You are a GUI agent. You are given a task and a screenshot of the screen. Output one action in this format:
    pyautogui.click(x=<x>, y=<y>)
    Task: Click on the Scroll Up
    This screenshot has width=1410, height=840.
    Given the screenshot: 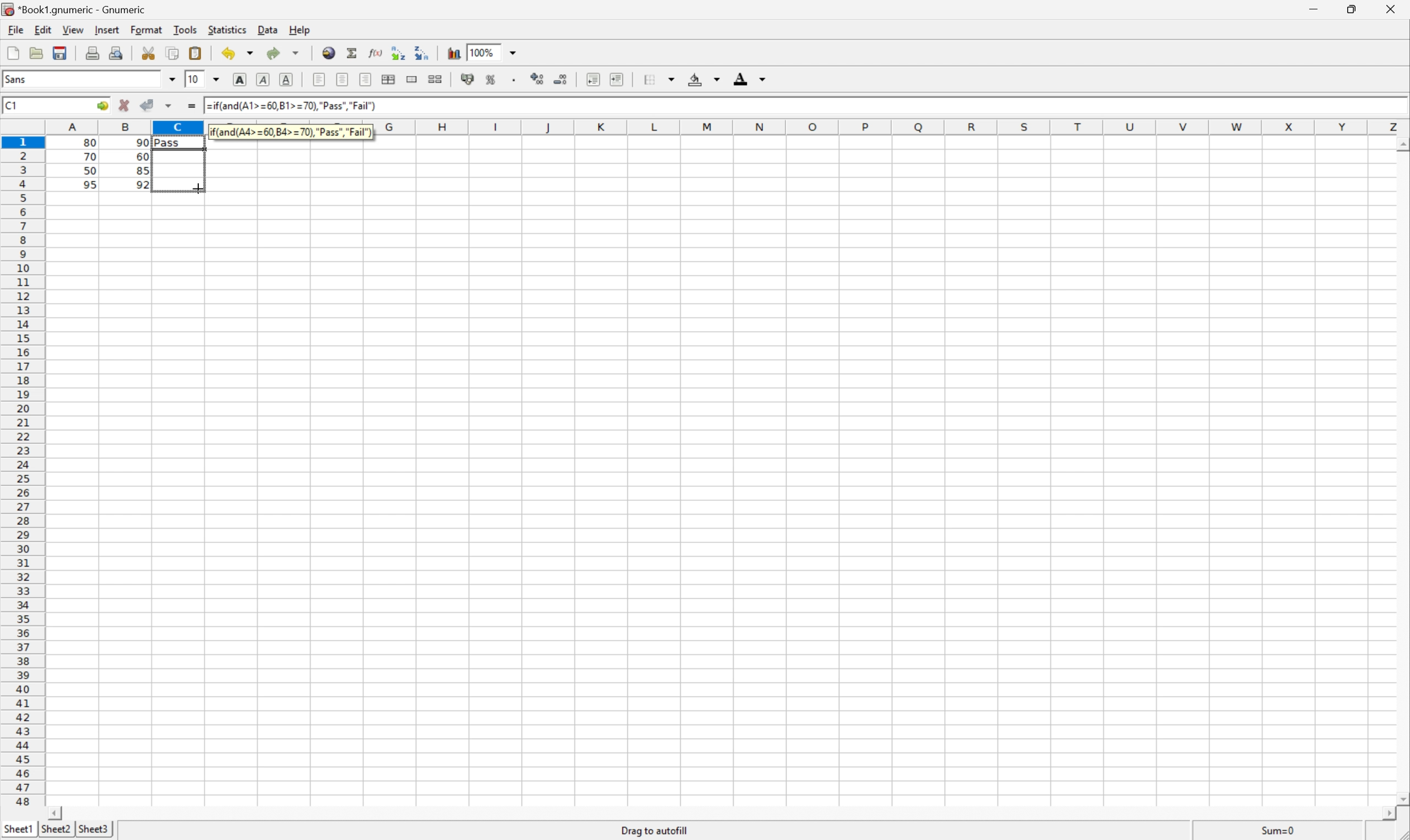 What is the action you would take?
    pyautogui.click(x=1401, y=144)
    